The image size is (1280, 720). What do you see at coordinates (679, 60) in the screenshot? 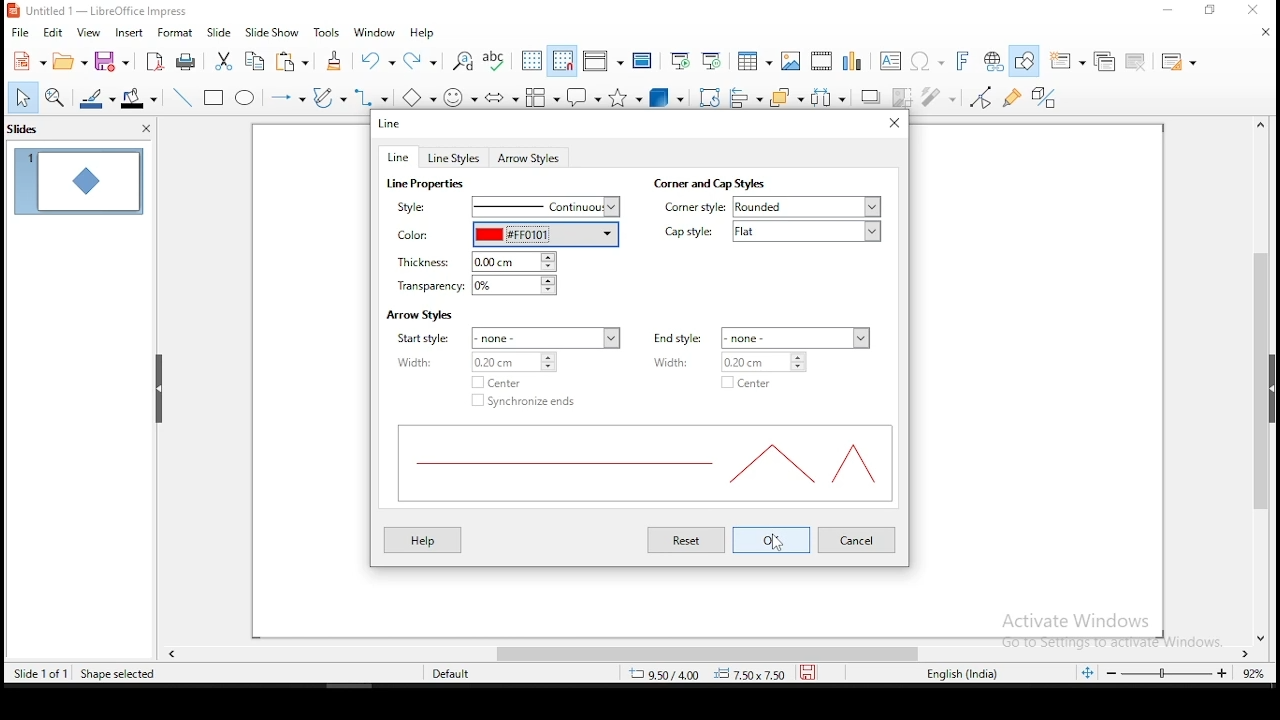
I see `start from first slide` at bounding box center [679, 60].